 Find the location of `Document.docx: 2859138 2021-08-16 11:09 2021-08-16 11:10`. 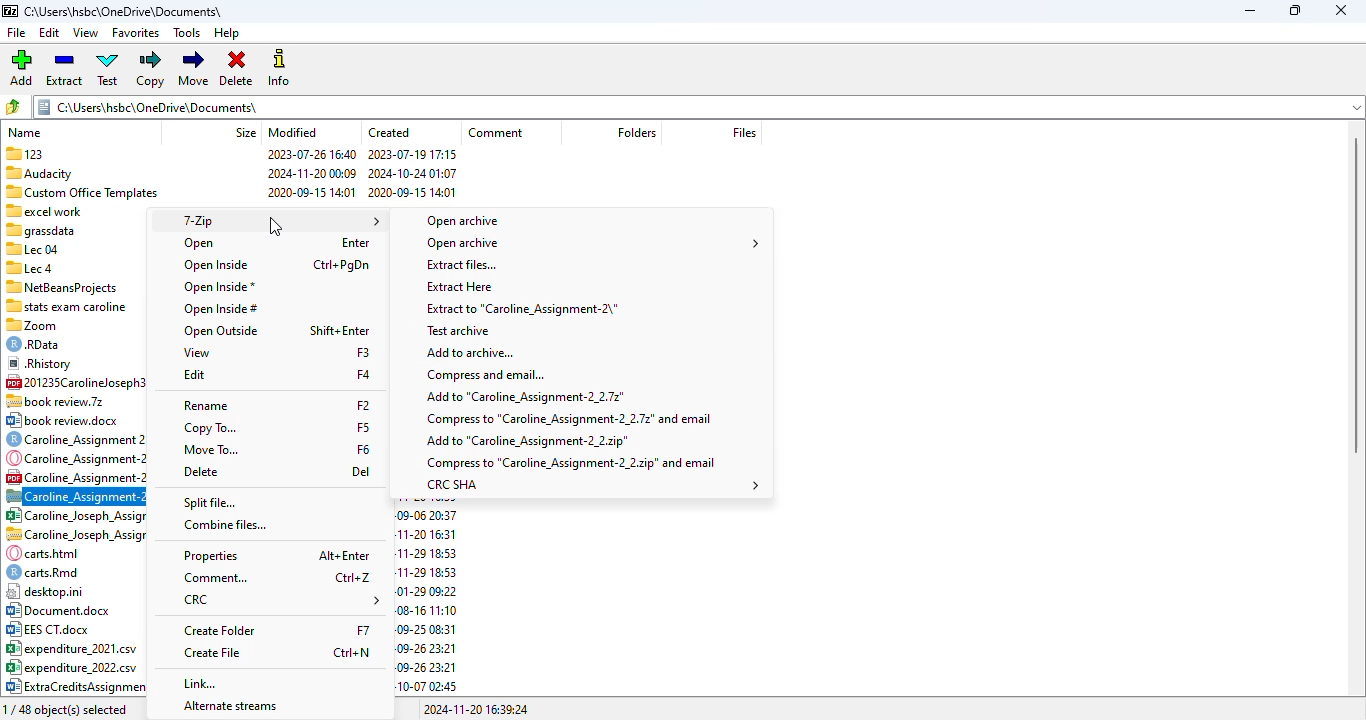

Document.docx: 2859138 2021-08-16 11:09 2021-08-16 11:10 is located at coordinates (73, 611).